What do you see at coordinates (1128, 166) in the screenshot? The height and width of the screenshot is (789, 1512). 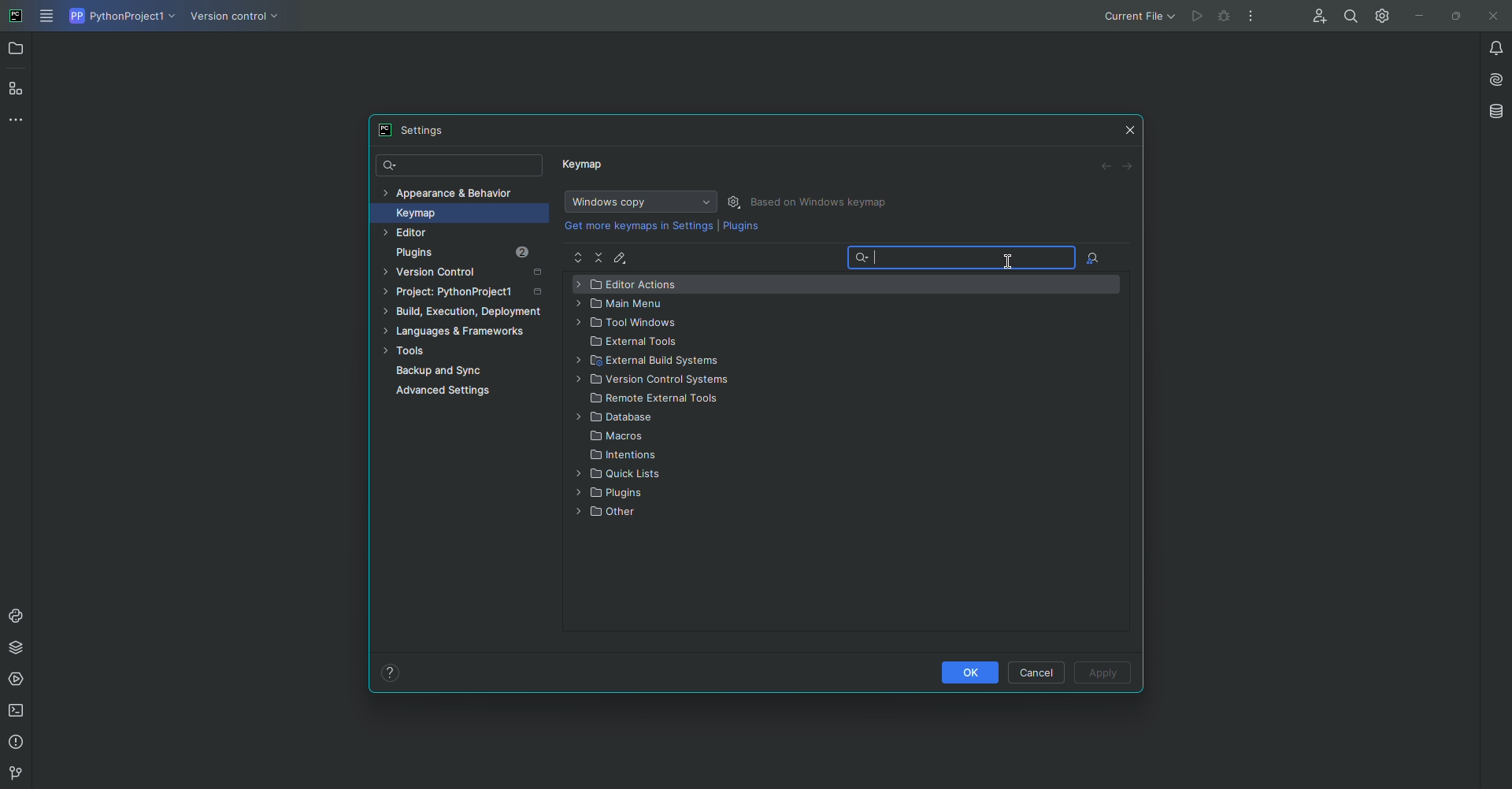 I see `Forward` at bounding box center [1128, 166].